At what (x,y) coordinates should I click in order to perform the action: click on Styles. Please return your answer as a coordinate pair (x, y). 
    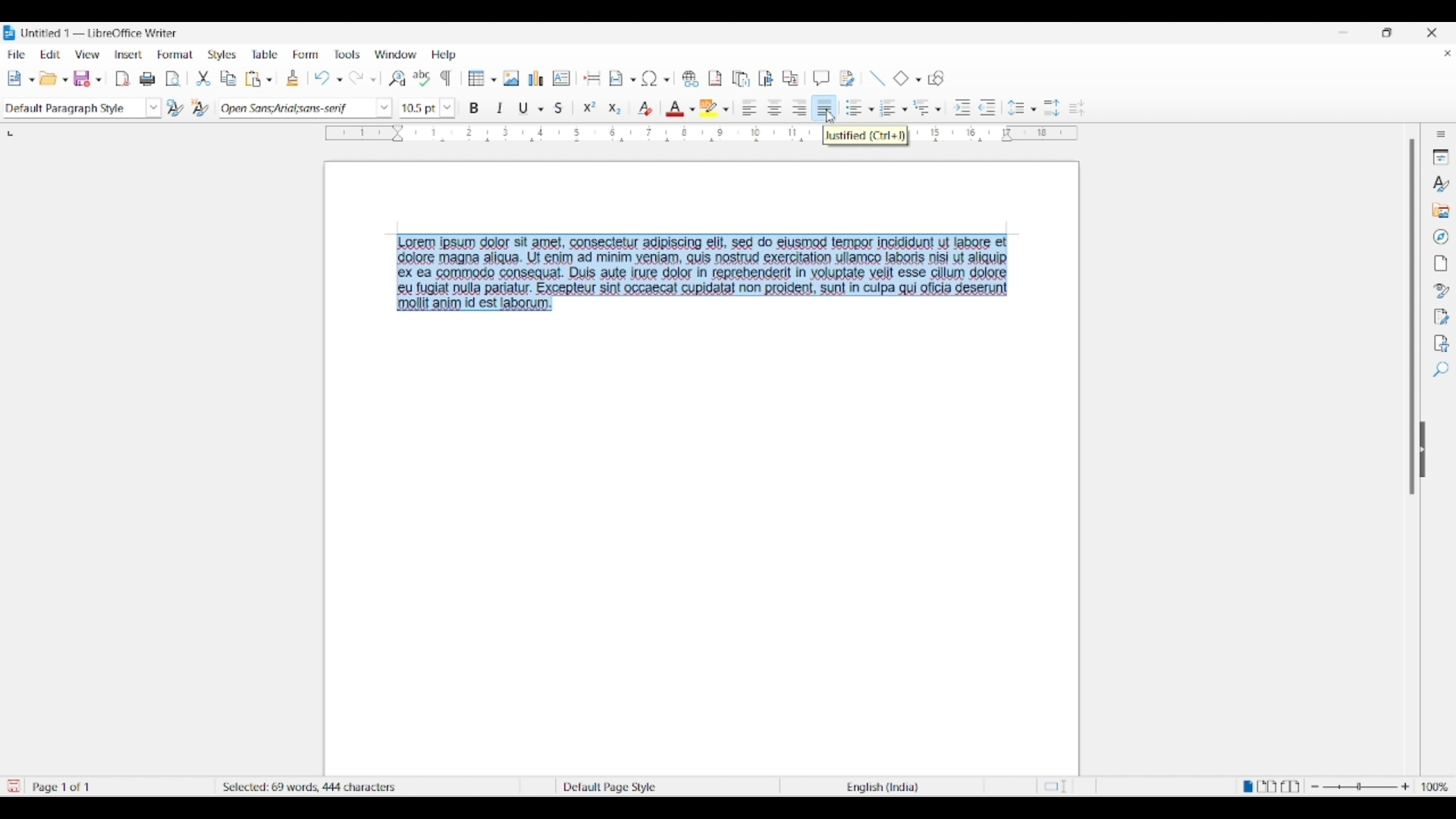
    Looking at the image, I should click on (1440, 183).